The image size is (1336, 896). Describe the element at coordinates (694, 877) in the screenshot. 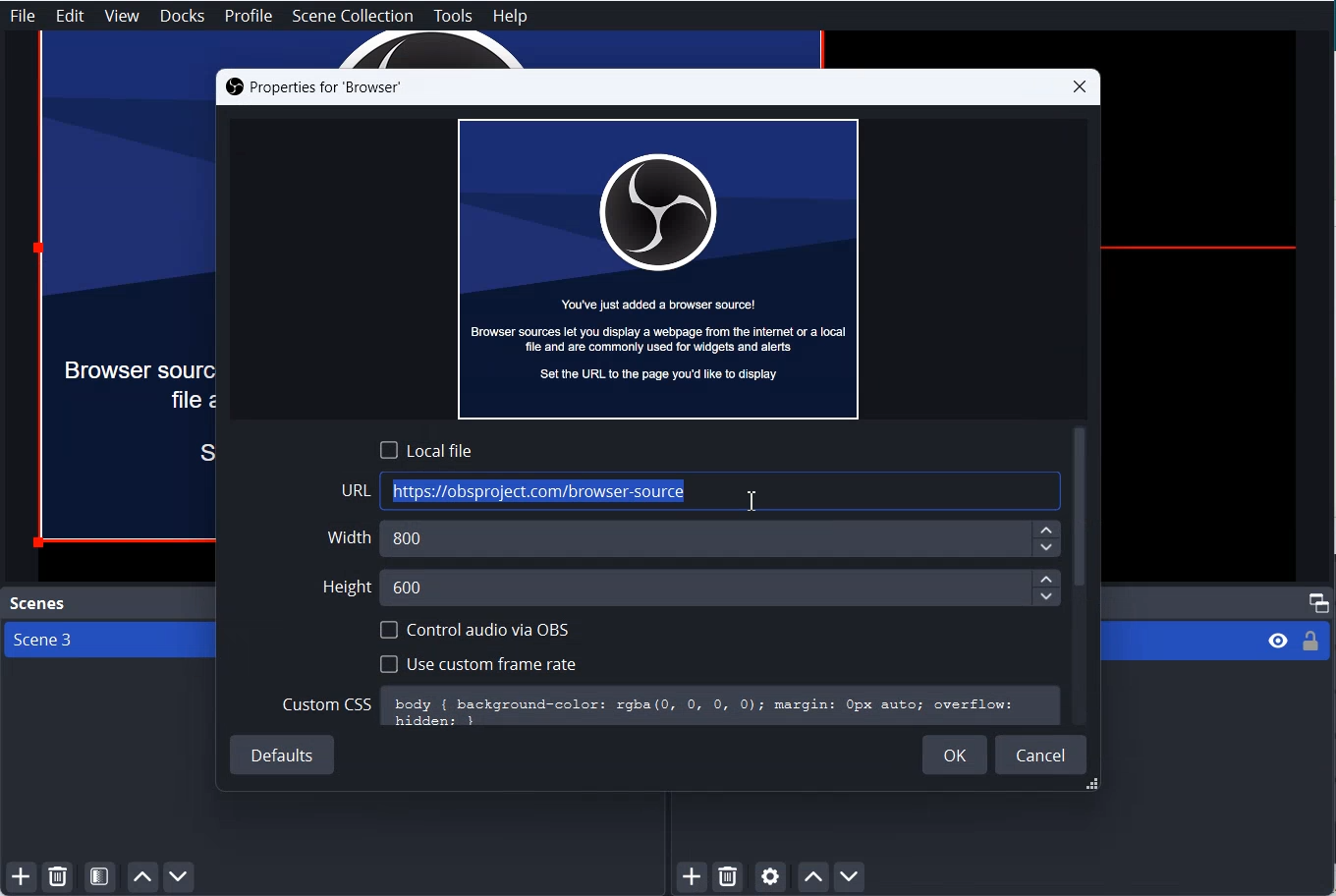

I see `Add Source` at that location.